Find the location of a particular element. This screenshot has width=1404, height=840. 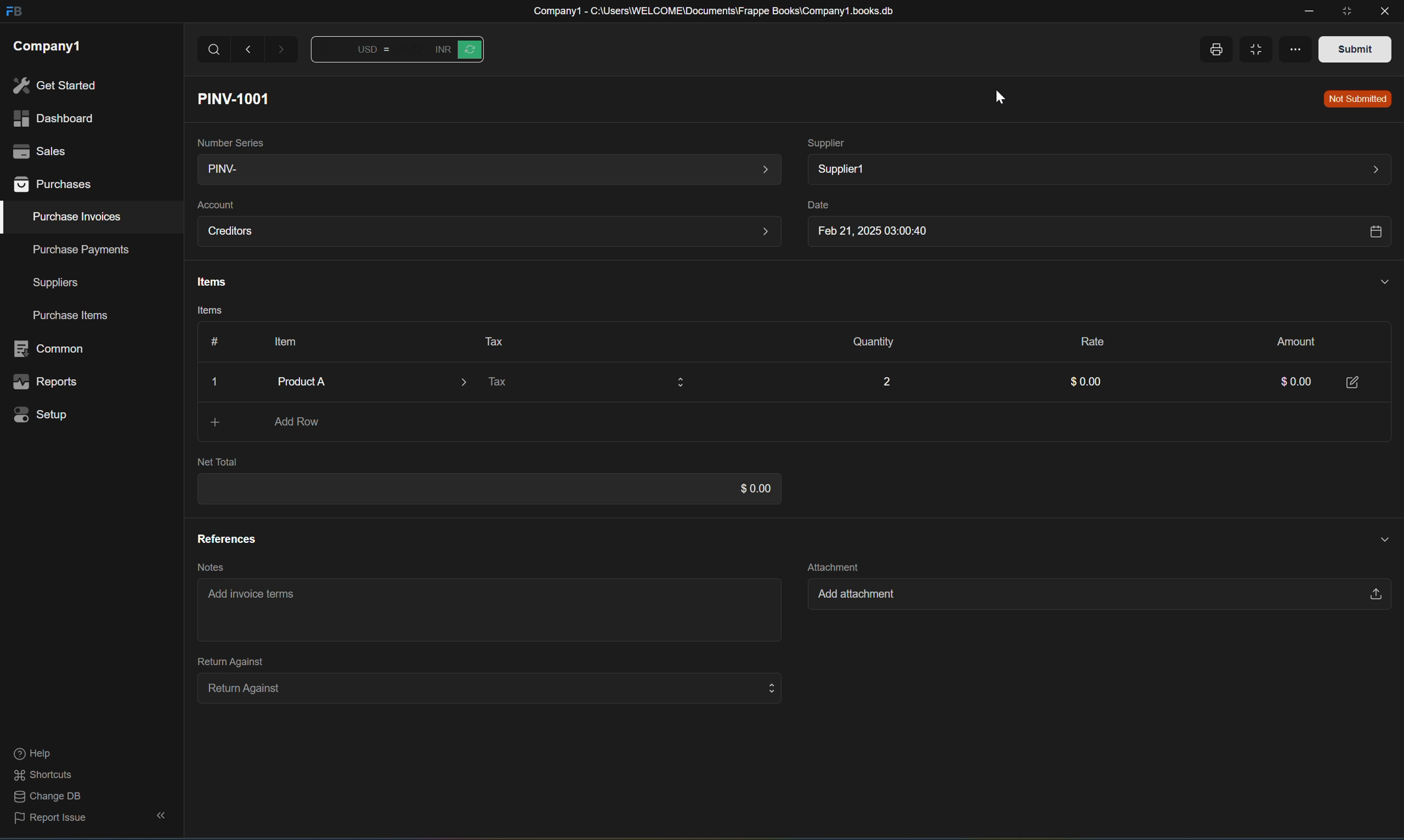

common is located at coordinates (52, 349).